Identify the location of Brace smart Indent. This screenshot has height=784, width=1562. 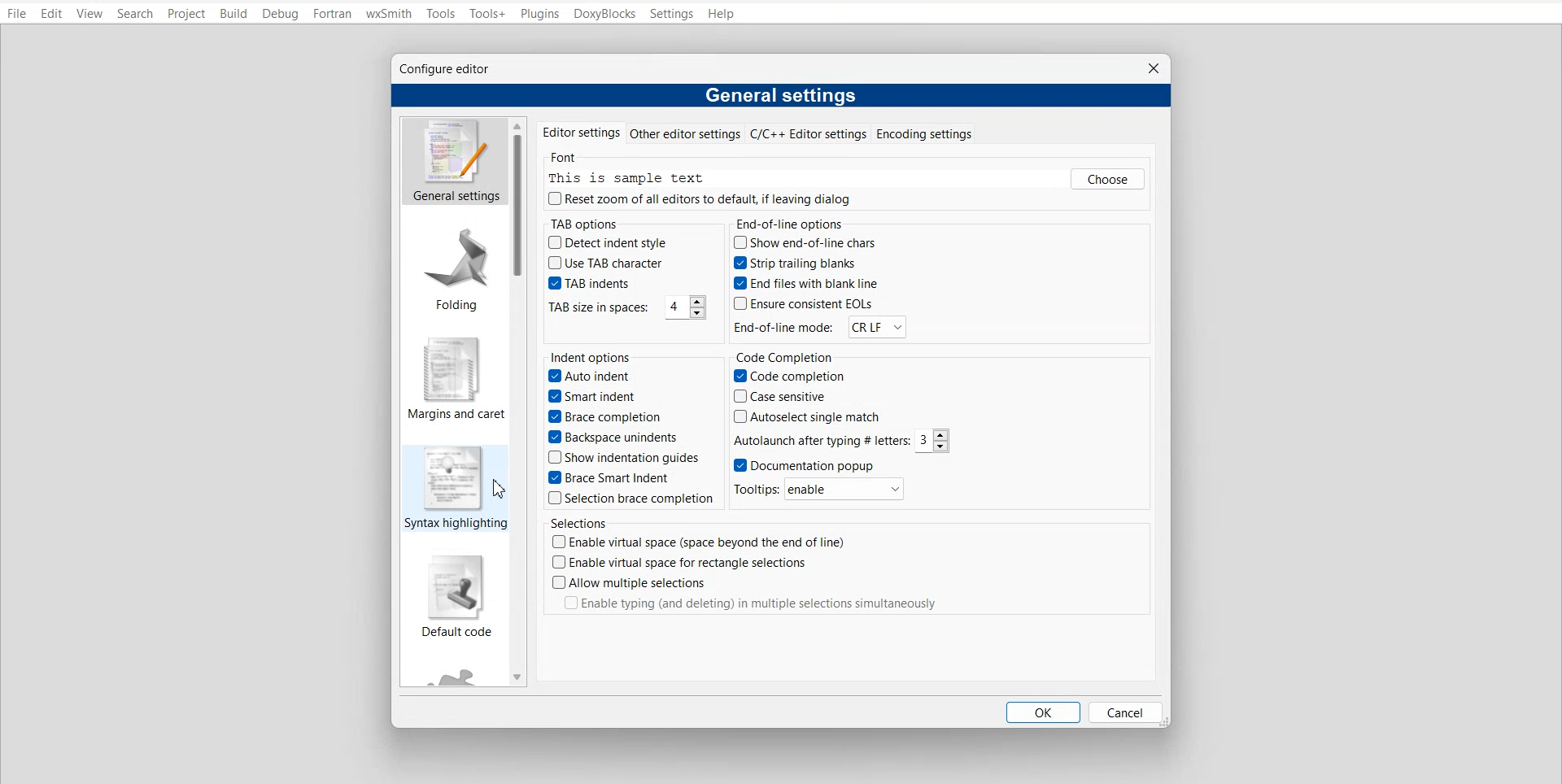
(611, 477).